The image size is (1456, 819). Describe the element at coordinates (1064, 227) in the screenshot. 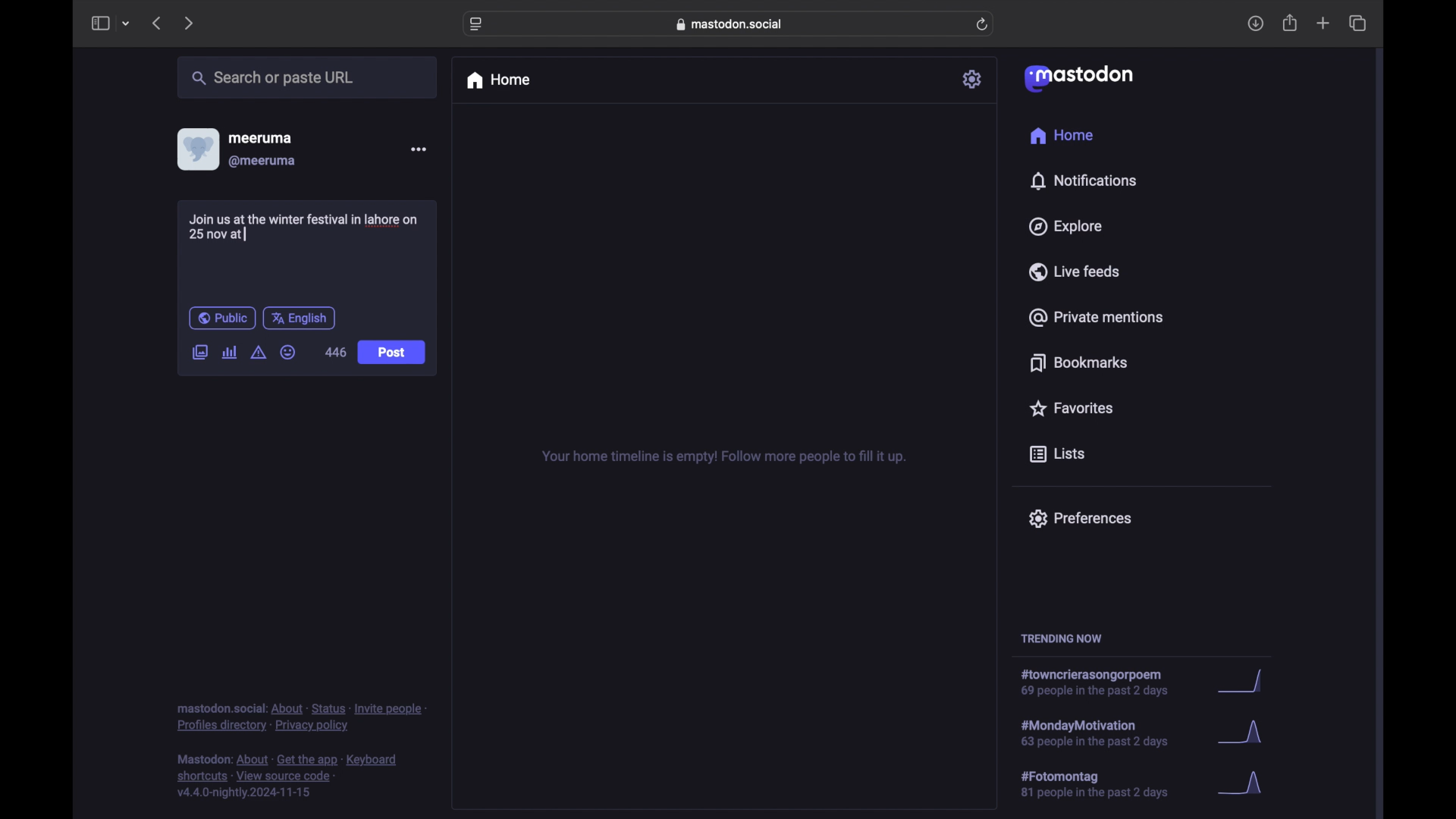

I see `explore` at that location.